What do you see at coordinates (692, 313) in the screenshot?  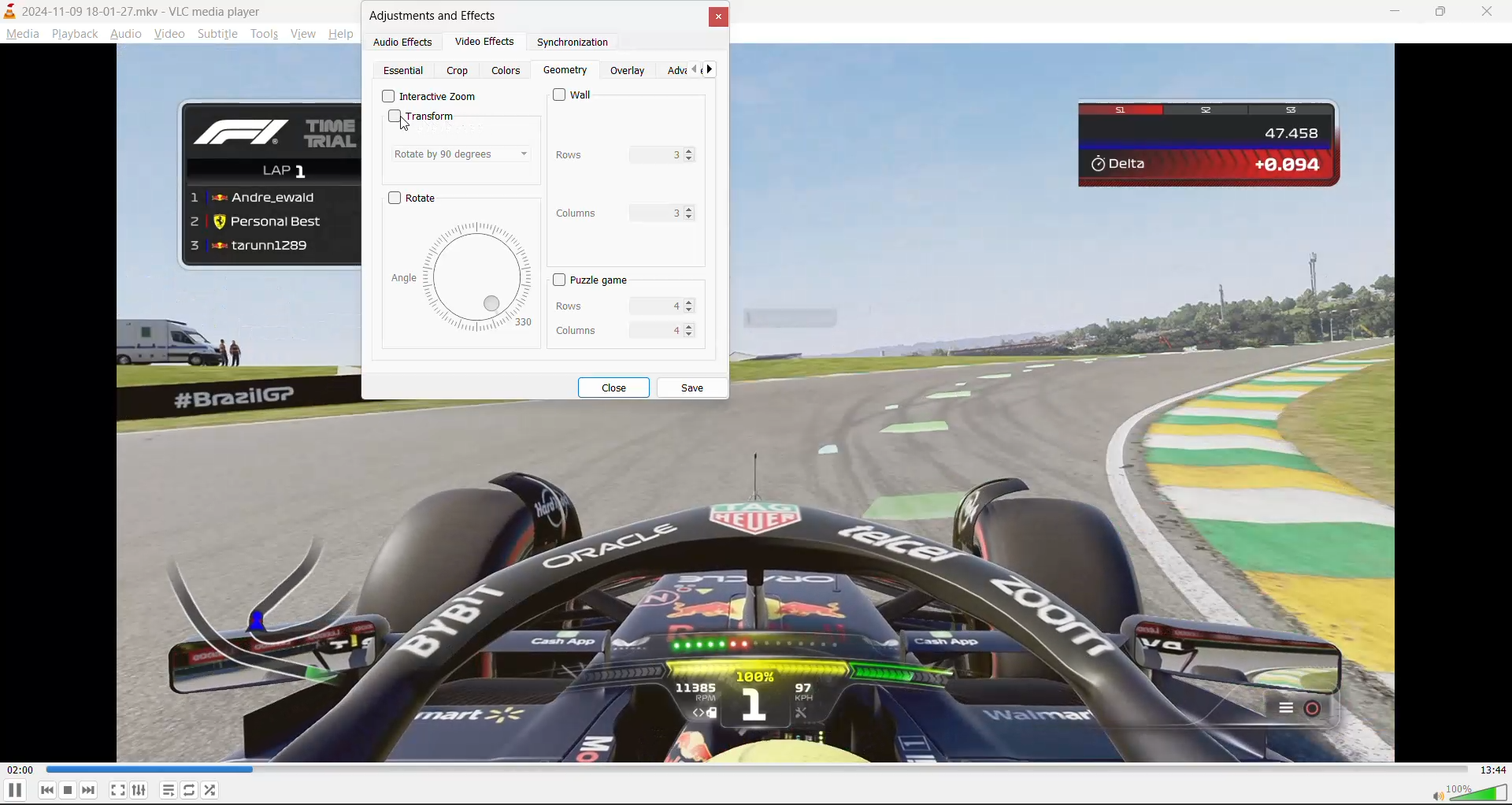 I see `Decrease` at bounding box center [692, 313].